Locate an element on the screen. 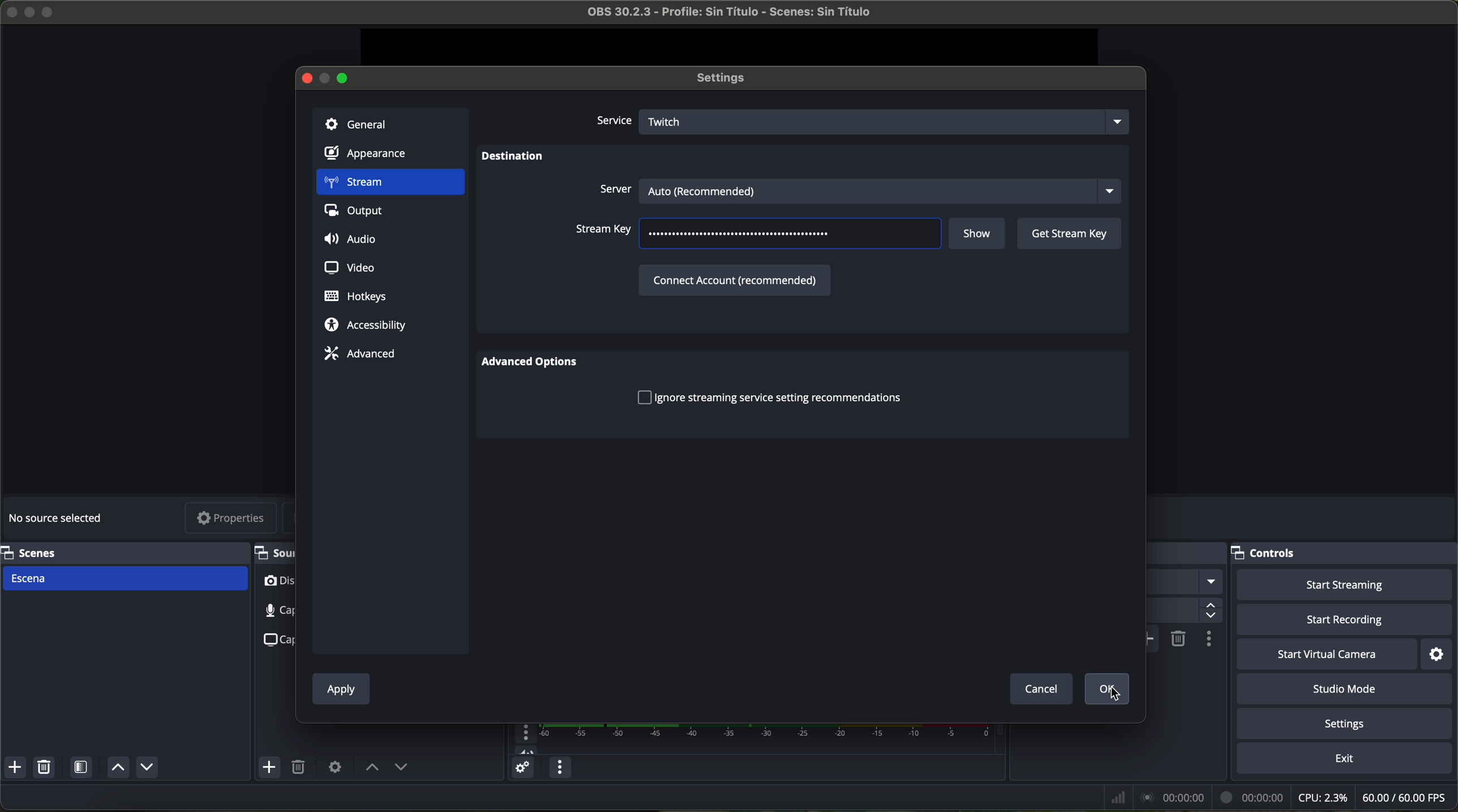  scenes is located at coordinates (121, 552).